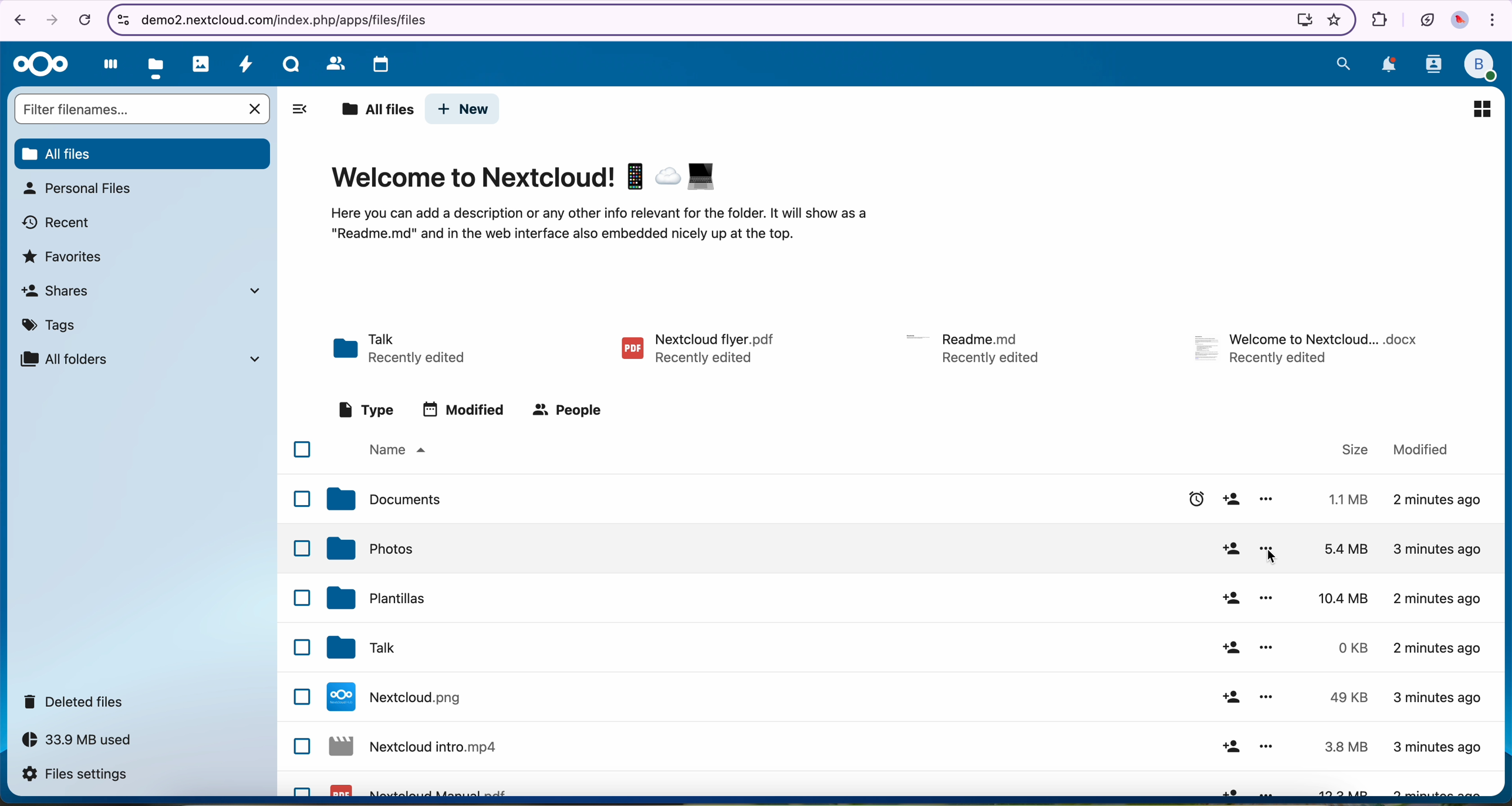 The width and height of the screenshot is (1512, 806). What do you see at coordinates (1481, 109) in the screenshot?
I see `icon view` at bounding box center [1481, 109].